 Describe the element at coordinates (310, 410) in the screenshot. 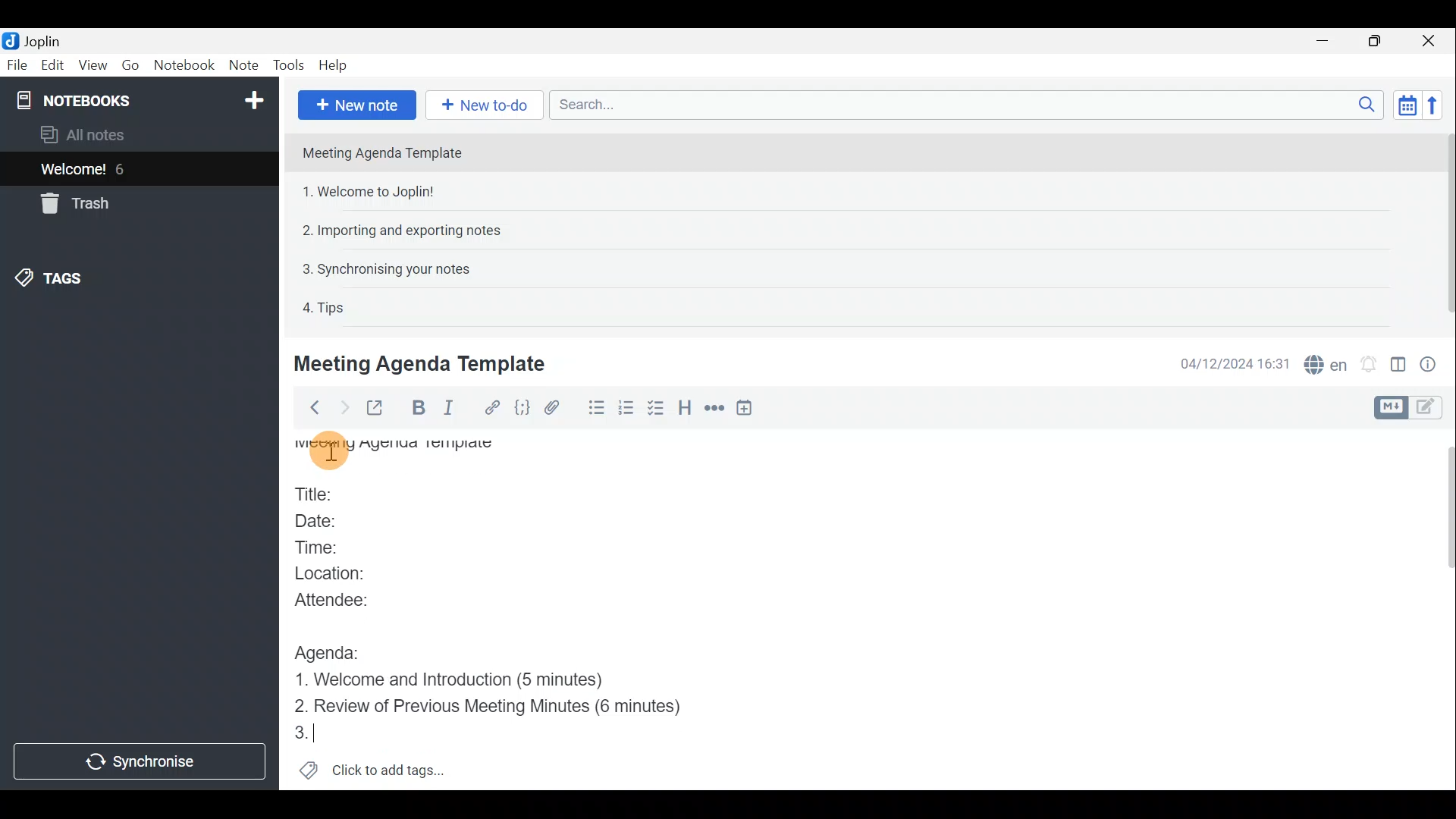

I see `Back` at that location.